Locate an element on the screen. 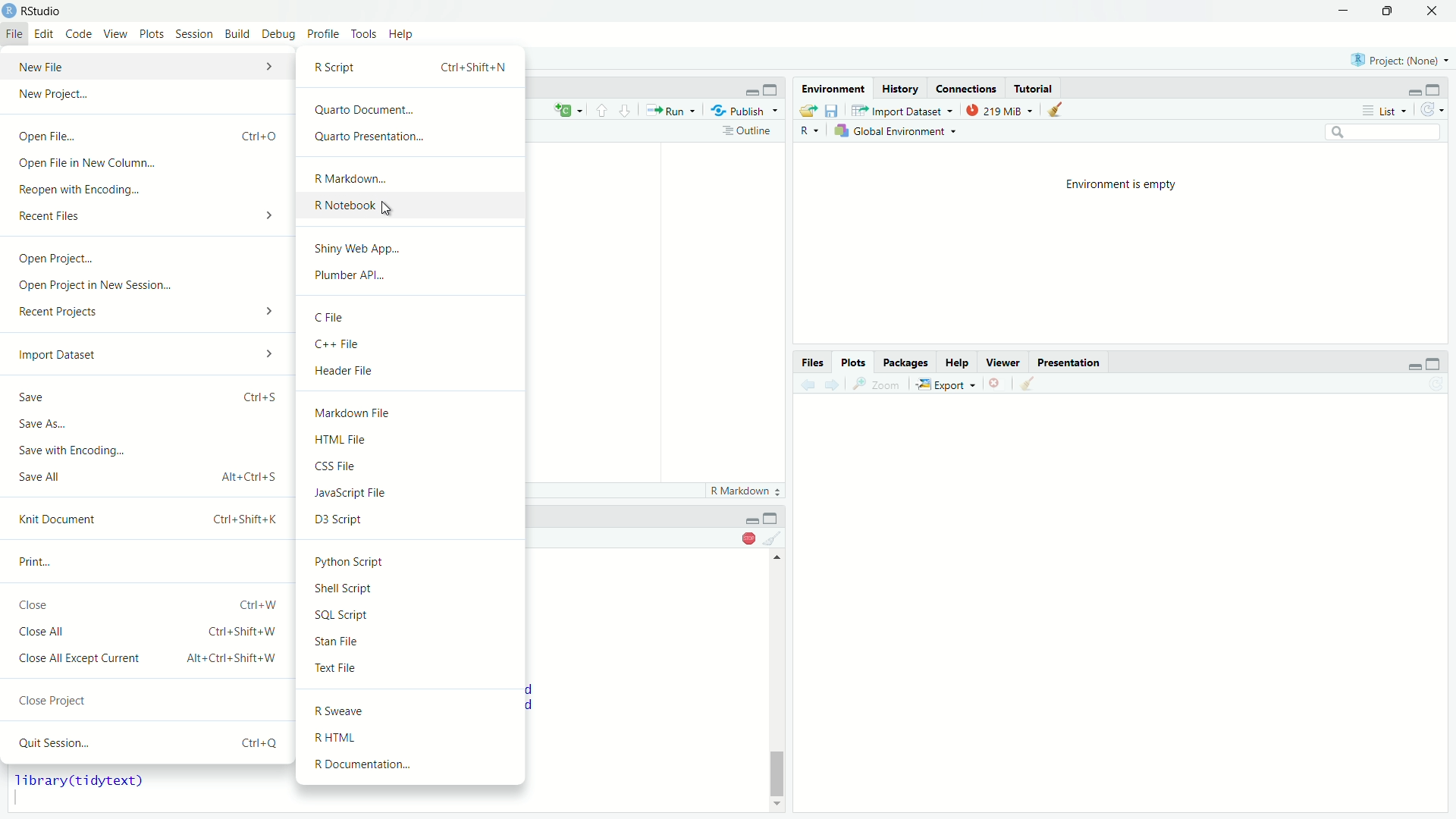 This screenshot has width=1456, height=819. R Documentation... is located at coordinates (412, 766).